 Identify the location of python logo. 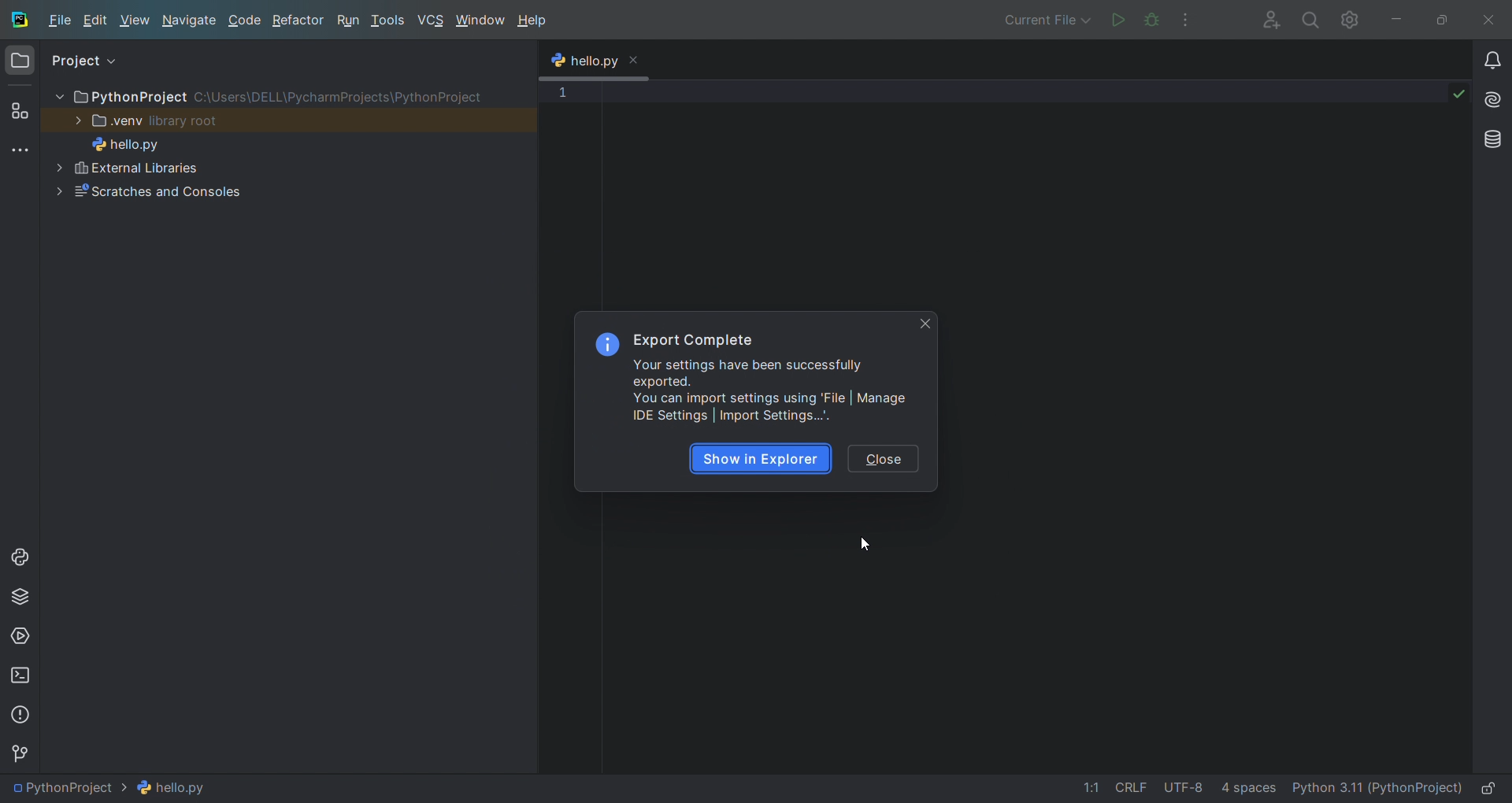
(557, 62).